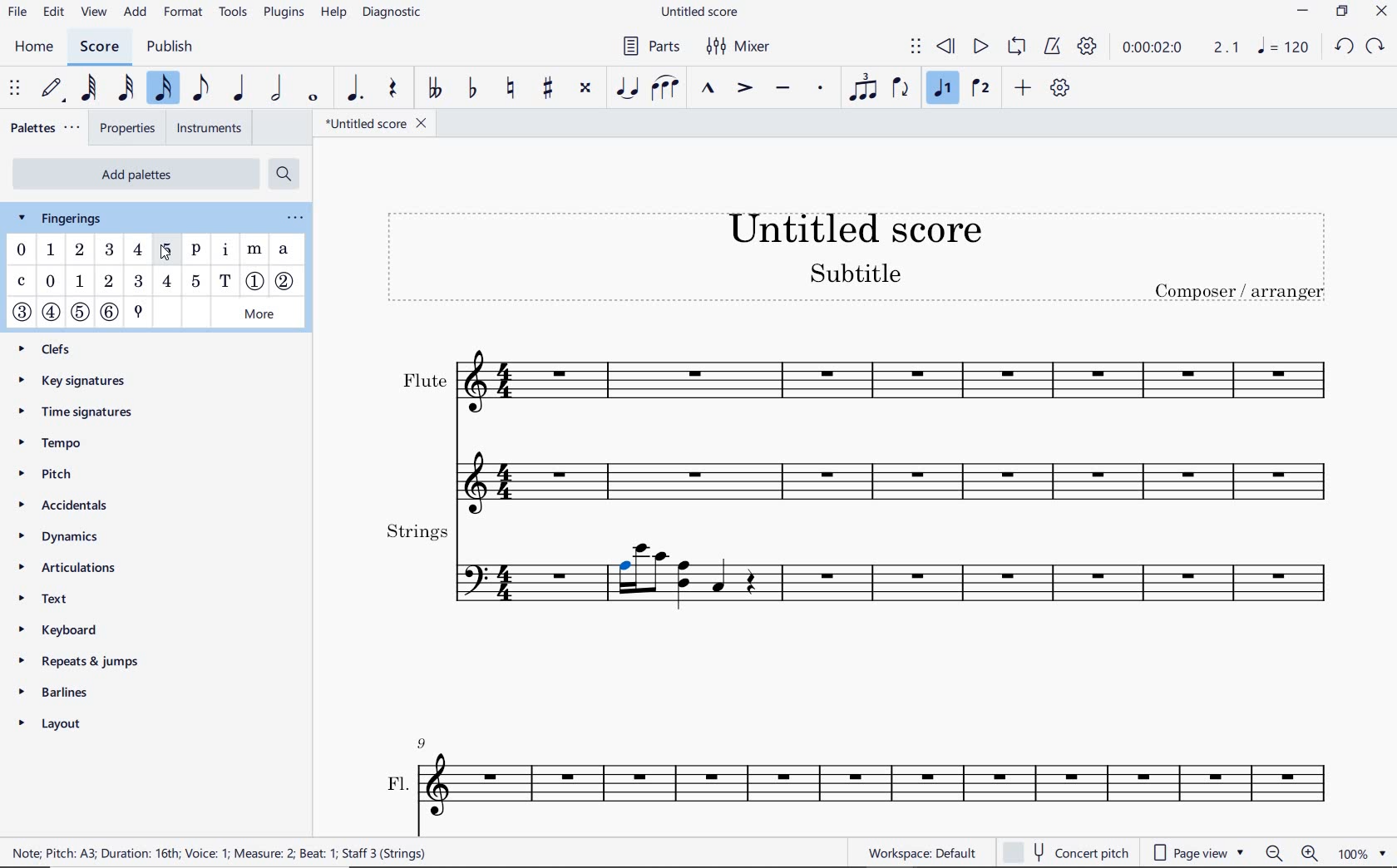 This screenshot has height=868, width=1397. What do you see at coordinates (51, 252) in the screenshot?
I see `fingering 1` at bounding box center [51, 252].